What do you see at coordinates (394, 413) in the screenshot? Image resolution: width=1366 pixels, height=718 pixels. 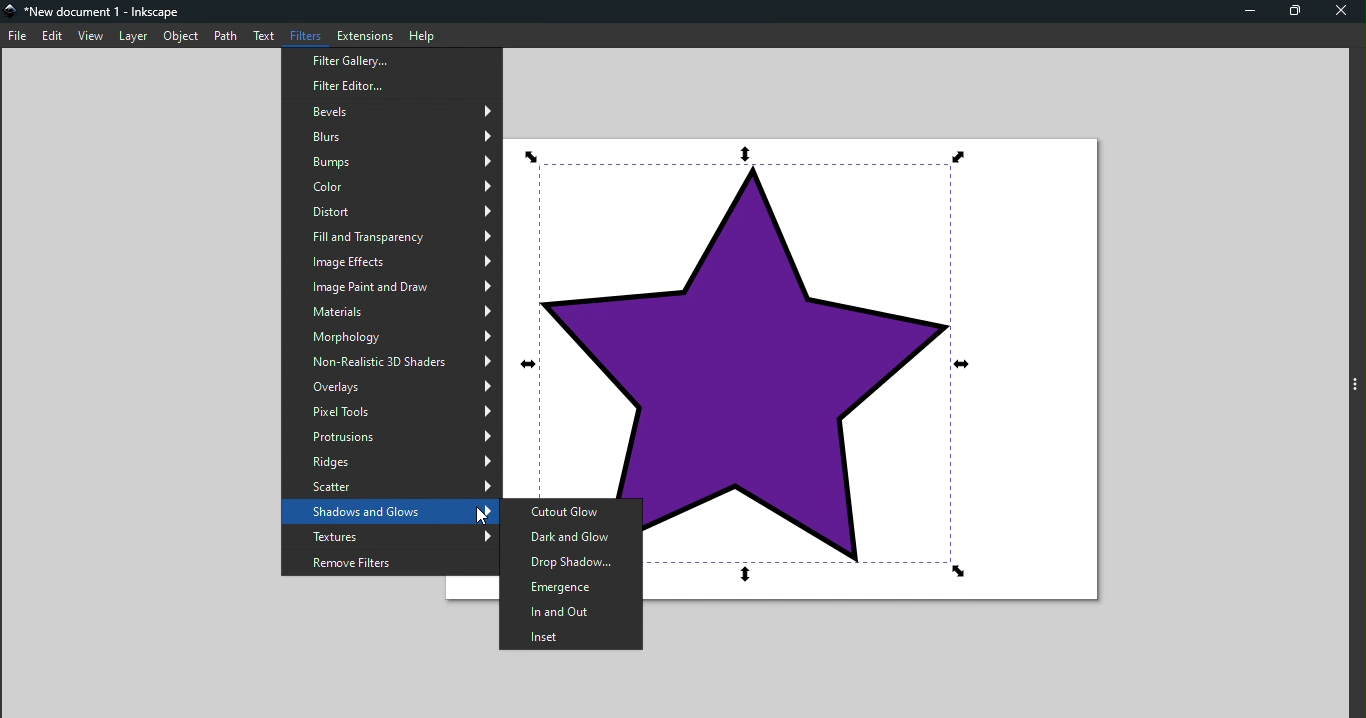 I see `Pixel` at bounding box center [394, 413].